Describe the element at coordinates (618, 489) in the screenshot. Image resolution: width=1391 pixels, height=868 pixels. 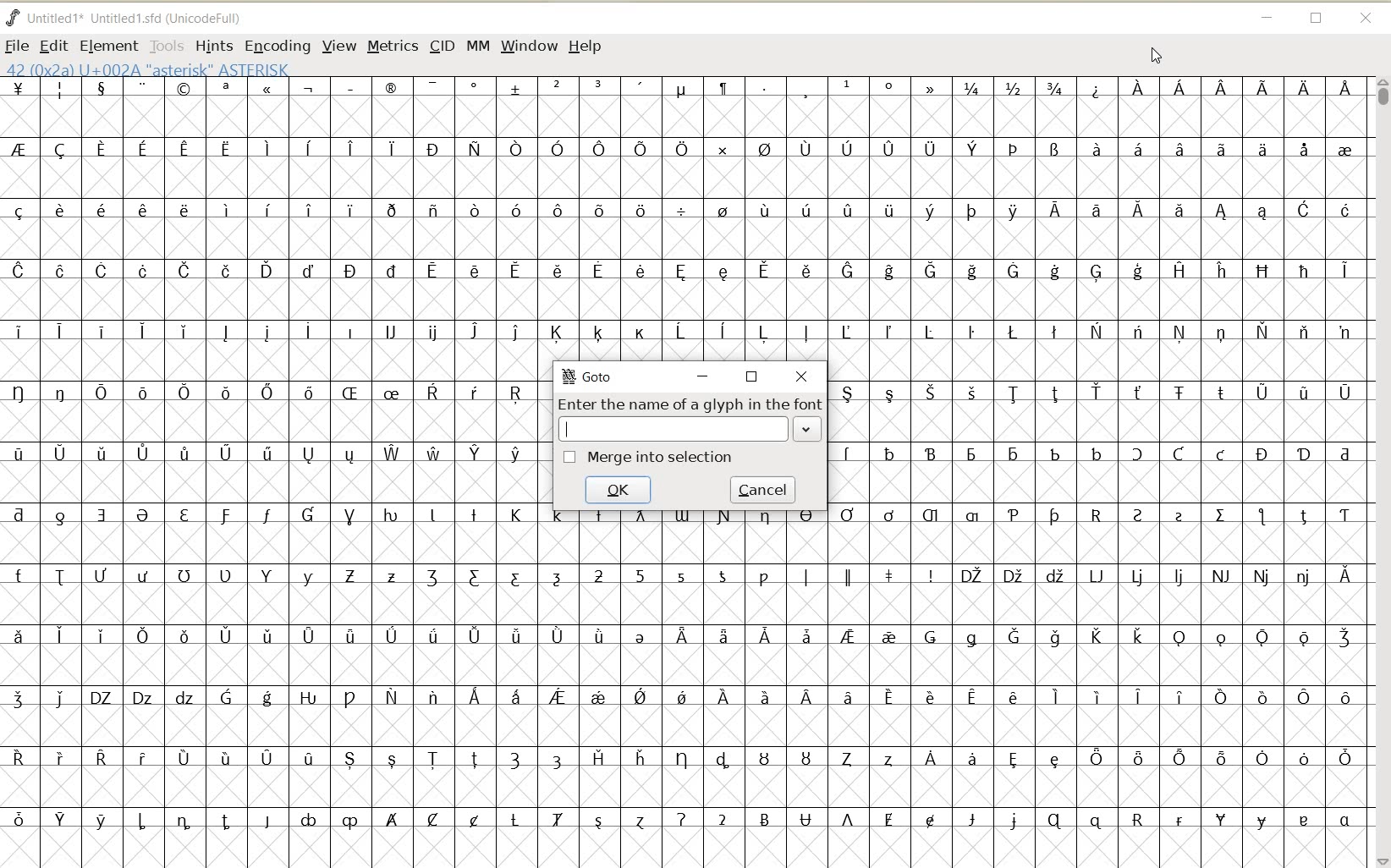
I see `ok` at that location.